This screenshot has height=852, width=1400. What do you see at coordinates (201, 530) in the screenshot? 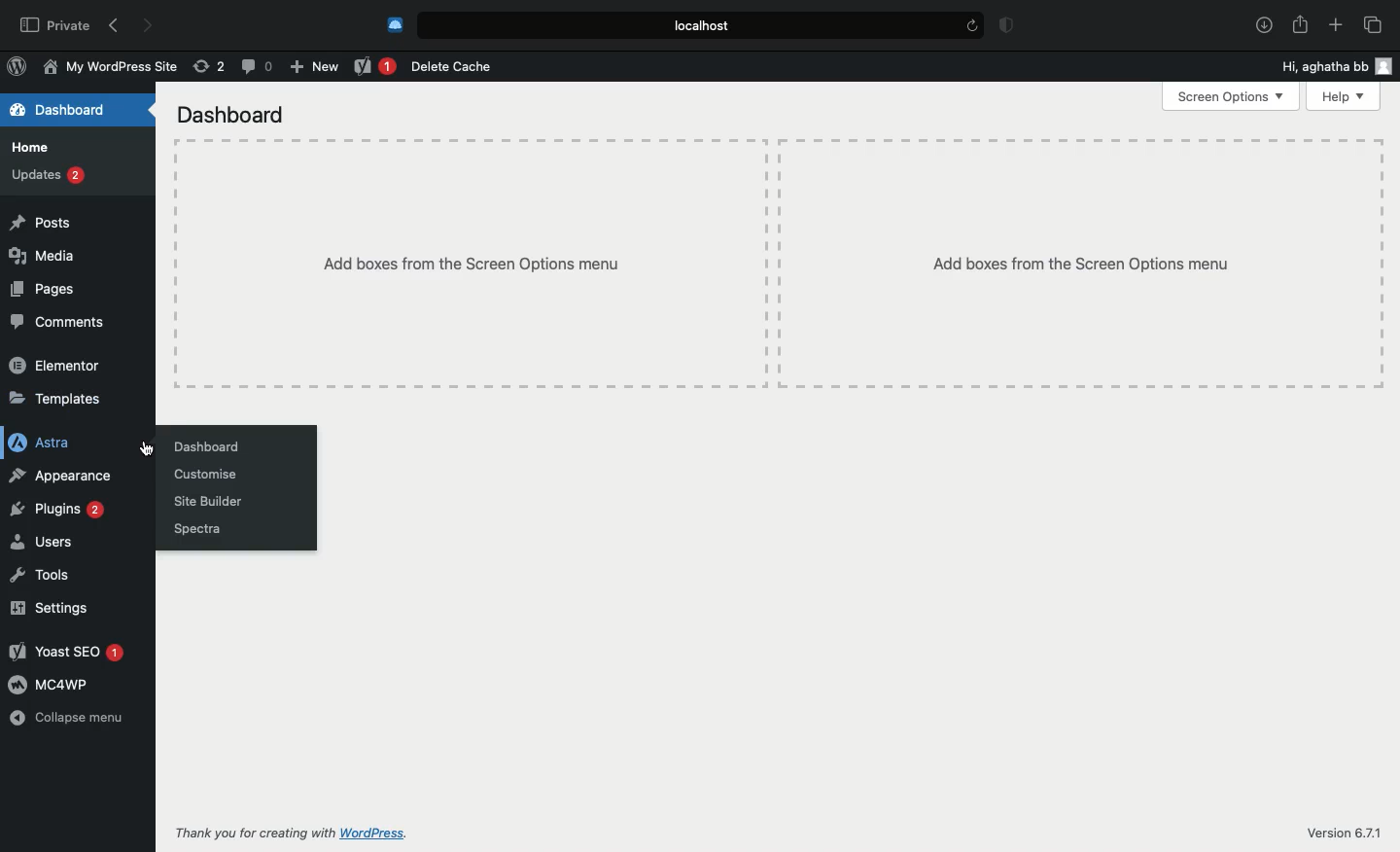
I see `Spectra` at bounding box center [201, 530].